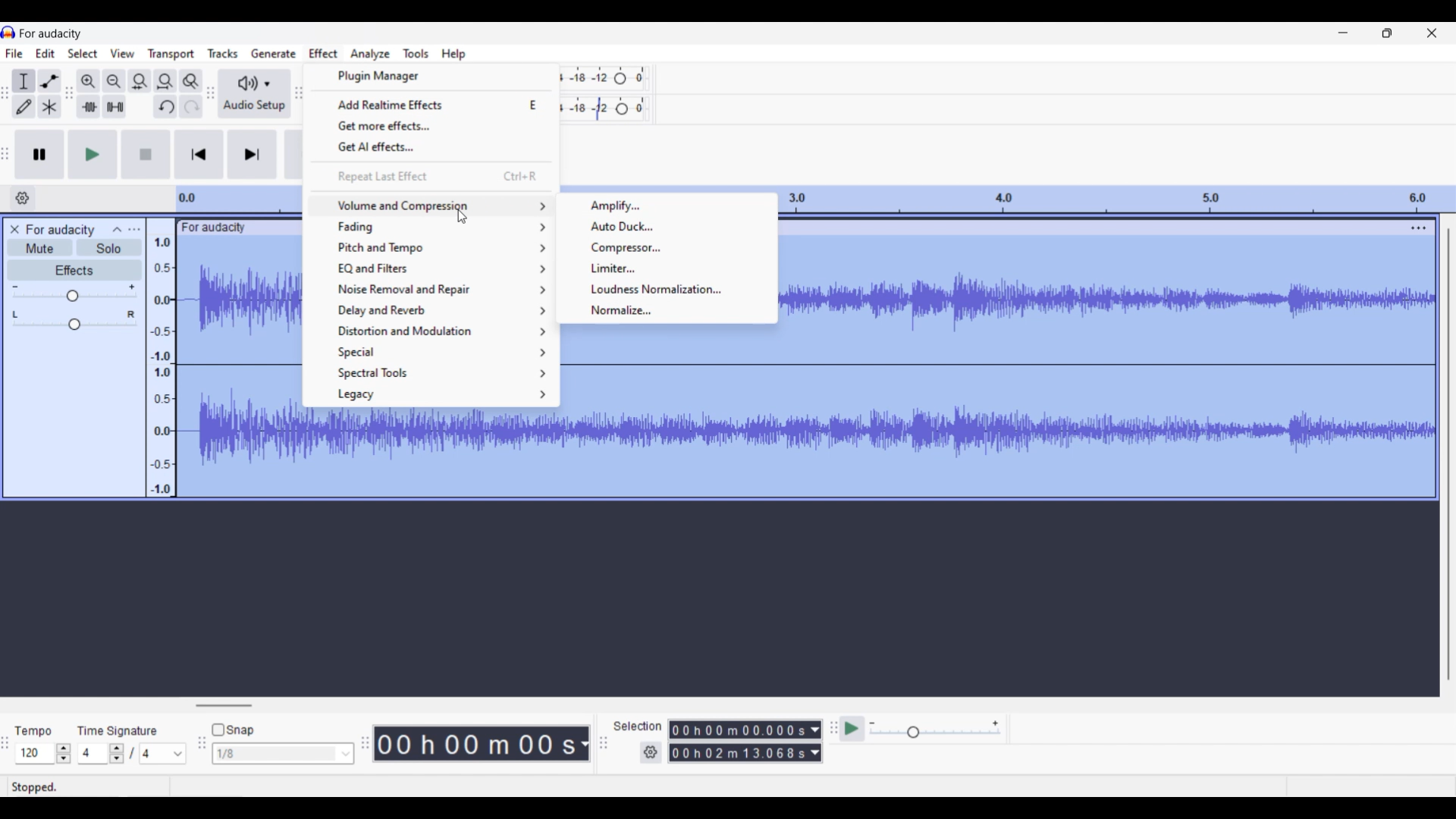  Describe the element at coordinates (133, 753) in the screenshot. I see `Time signature settings` at that location.